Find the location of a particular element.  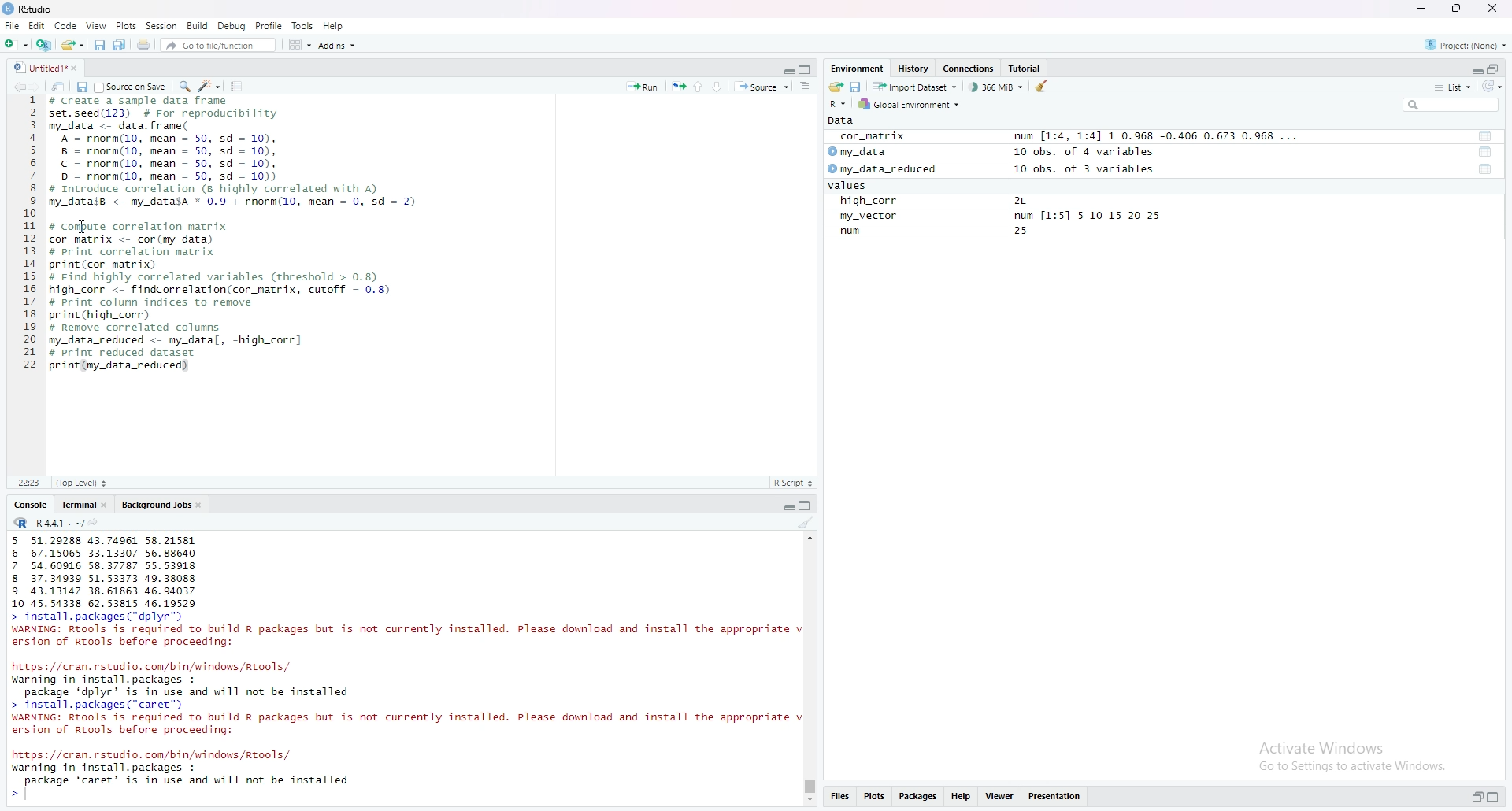

expand is located at coordinates (1493, 797).